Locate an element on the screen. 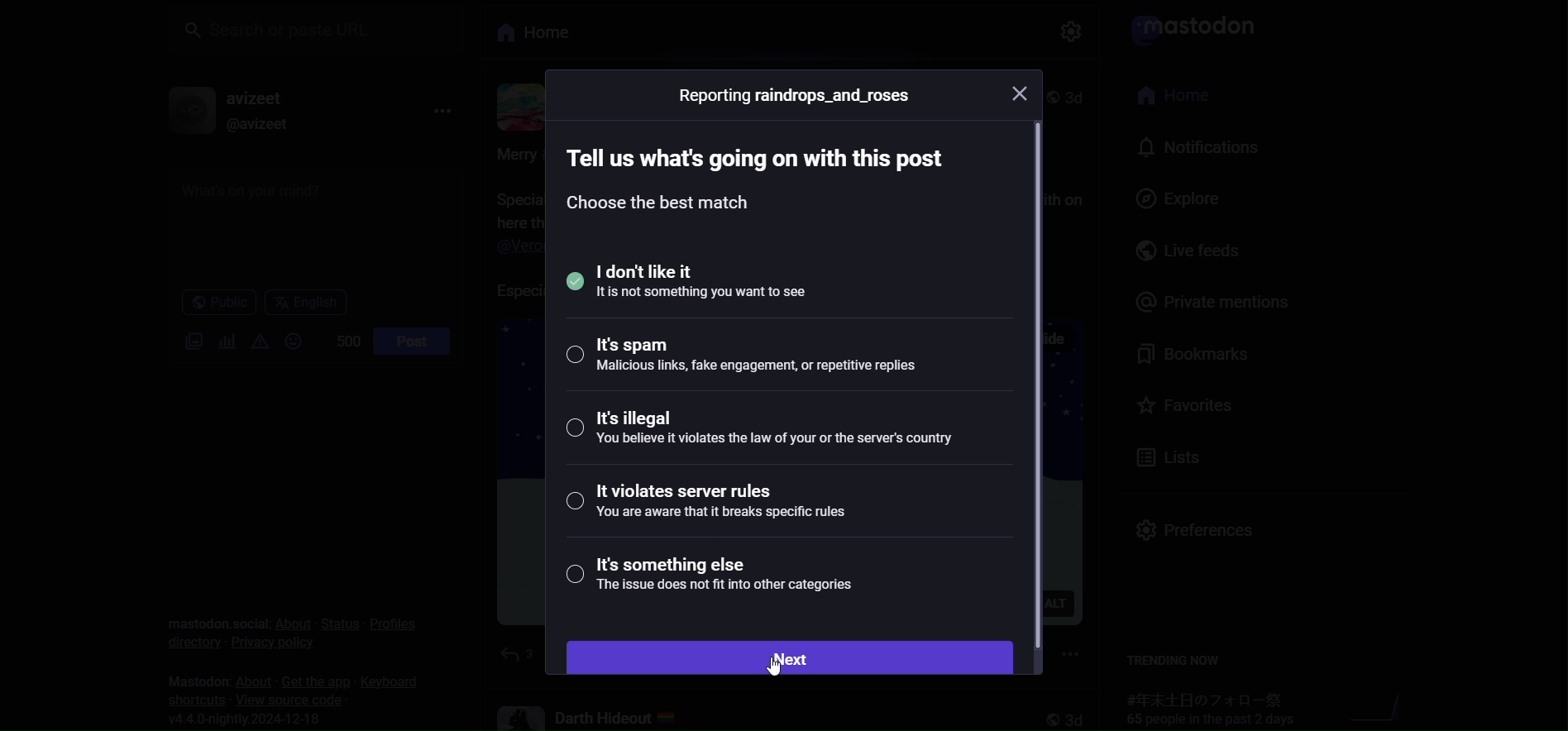  next is located at coordinates (786, 654).